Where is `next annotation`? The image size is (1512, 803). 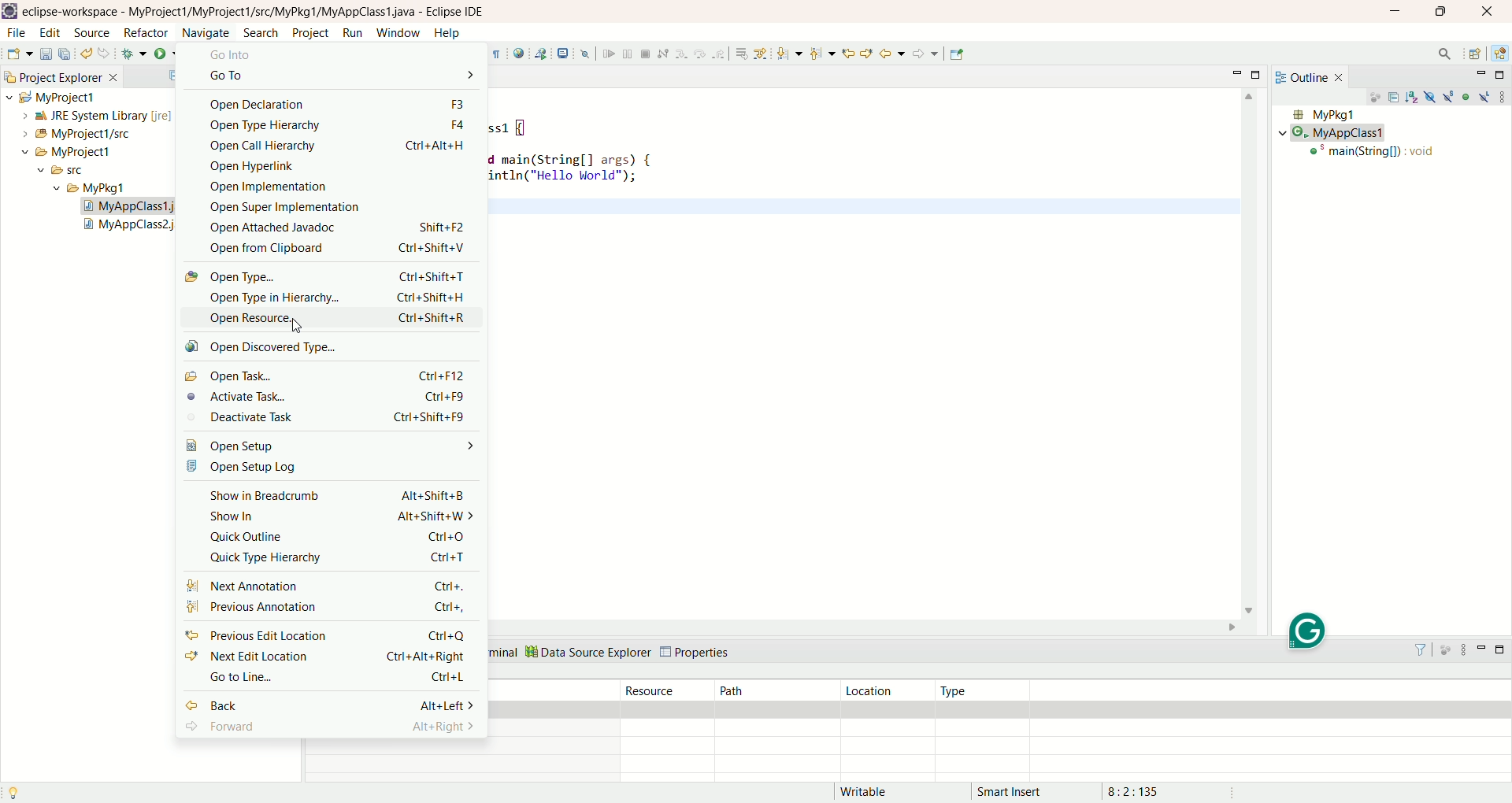 next annotation is located at coordinates (790, 54).